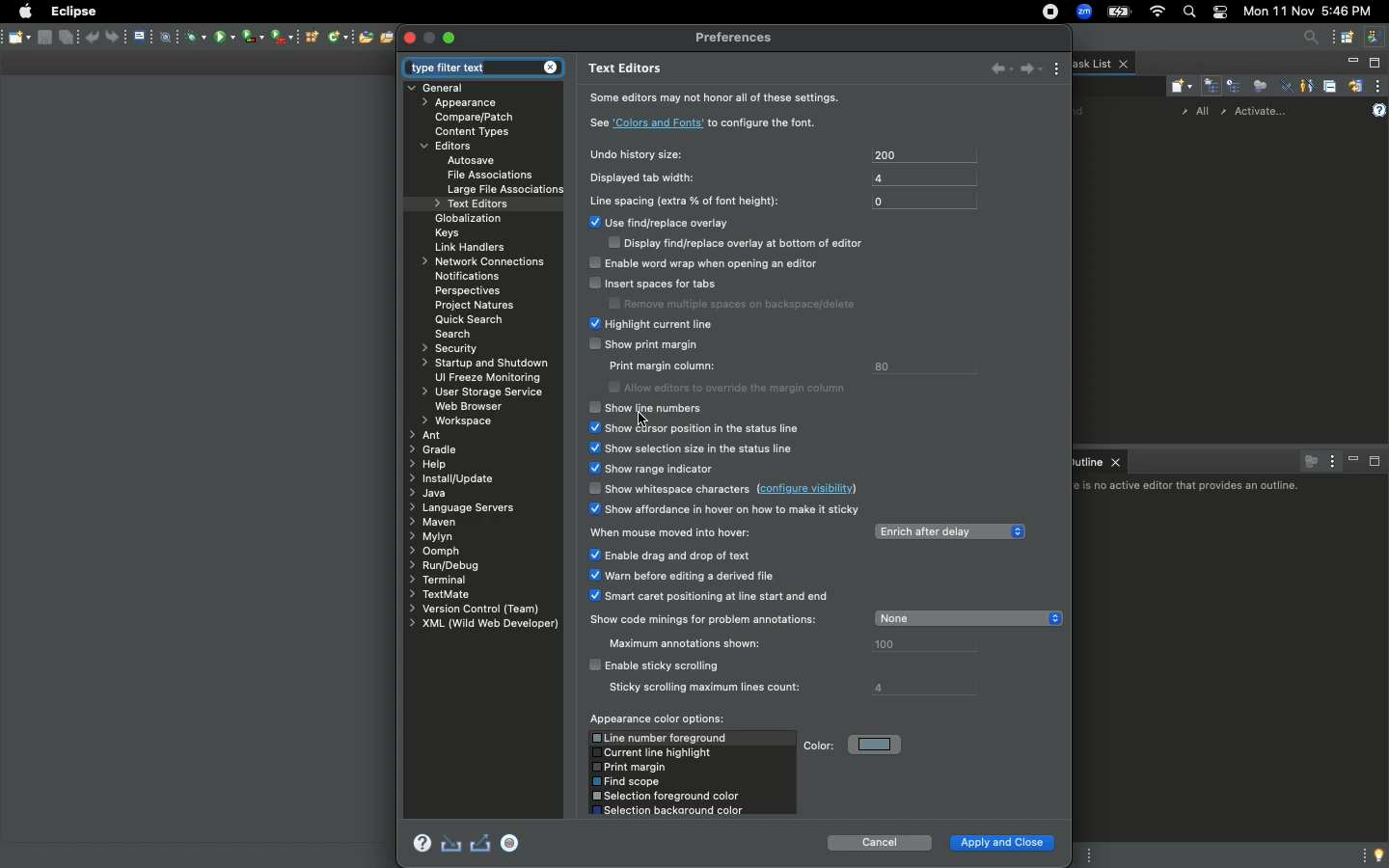 The height and width of the screenshot is (868, 1389). I want to click on Keys, so click(448, 233).